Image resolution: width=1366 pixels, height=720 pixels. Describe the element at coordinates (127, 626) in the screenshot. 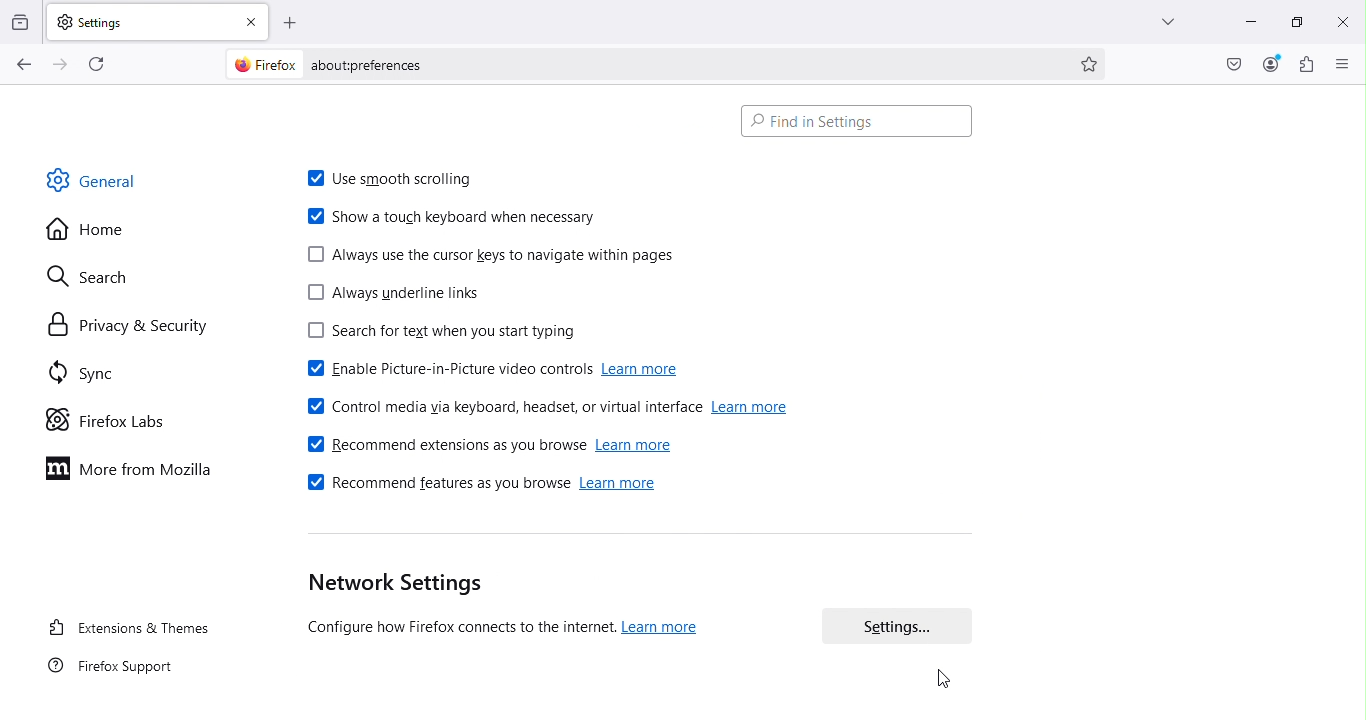

I see `Extensions and themes` at that location.